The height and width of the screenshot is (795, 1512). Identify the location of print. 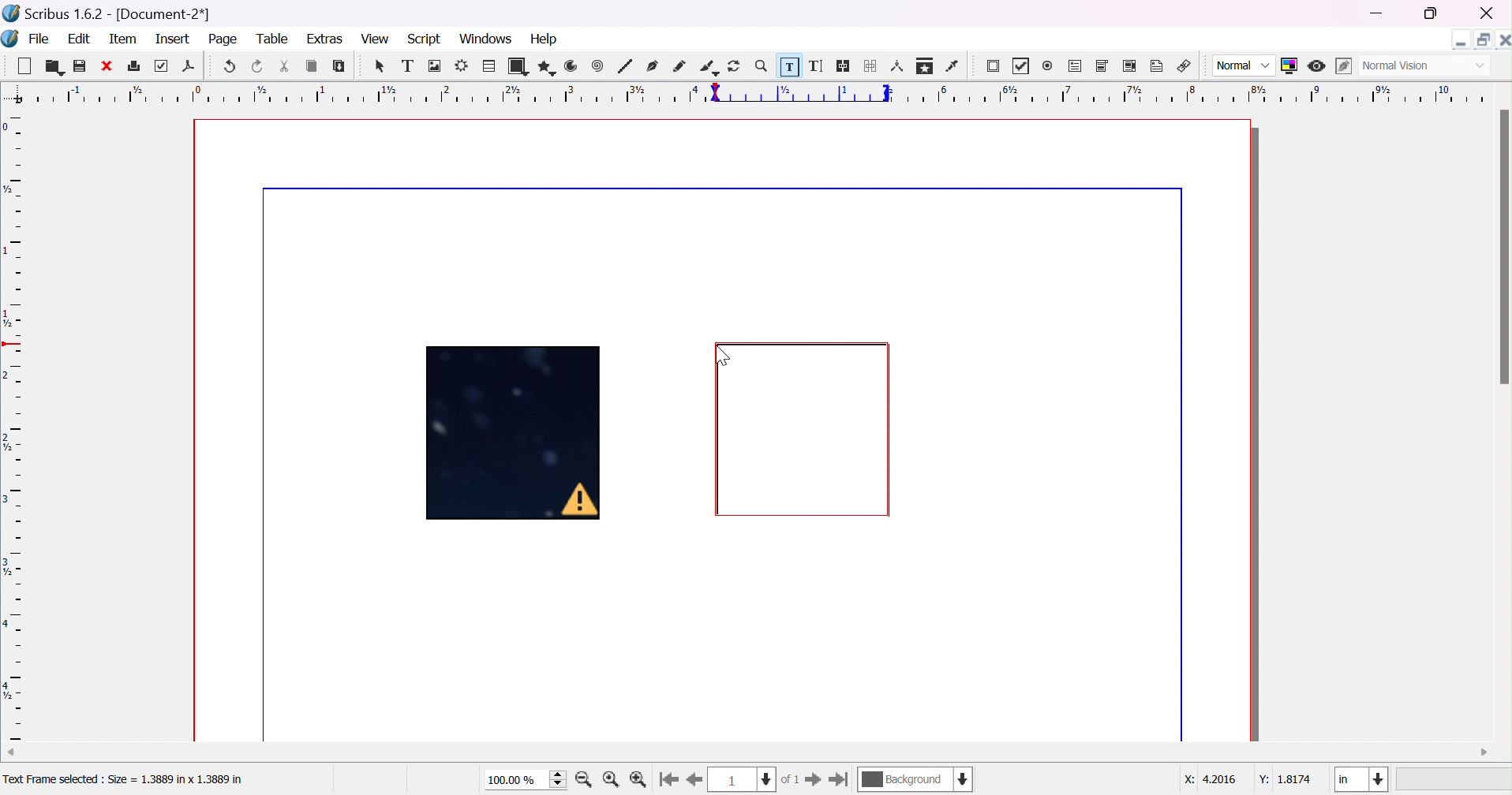
(133, 65).